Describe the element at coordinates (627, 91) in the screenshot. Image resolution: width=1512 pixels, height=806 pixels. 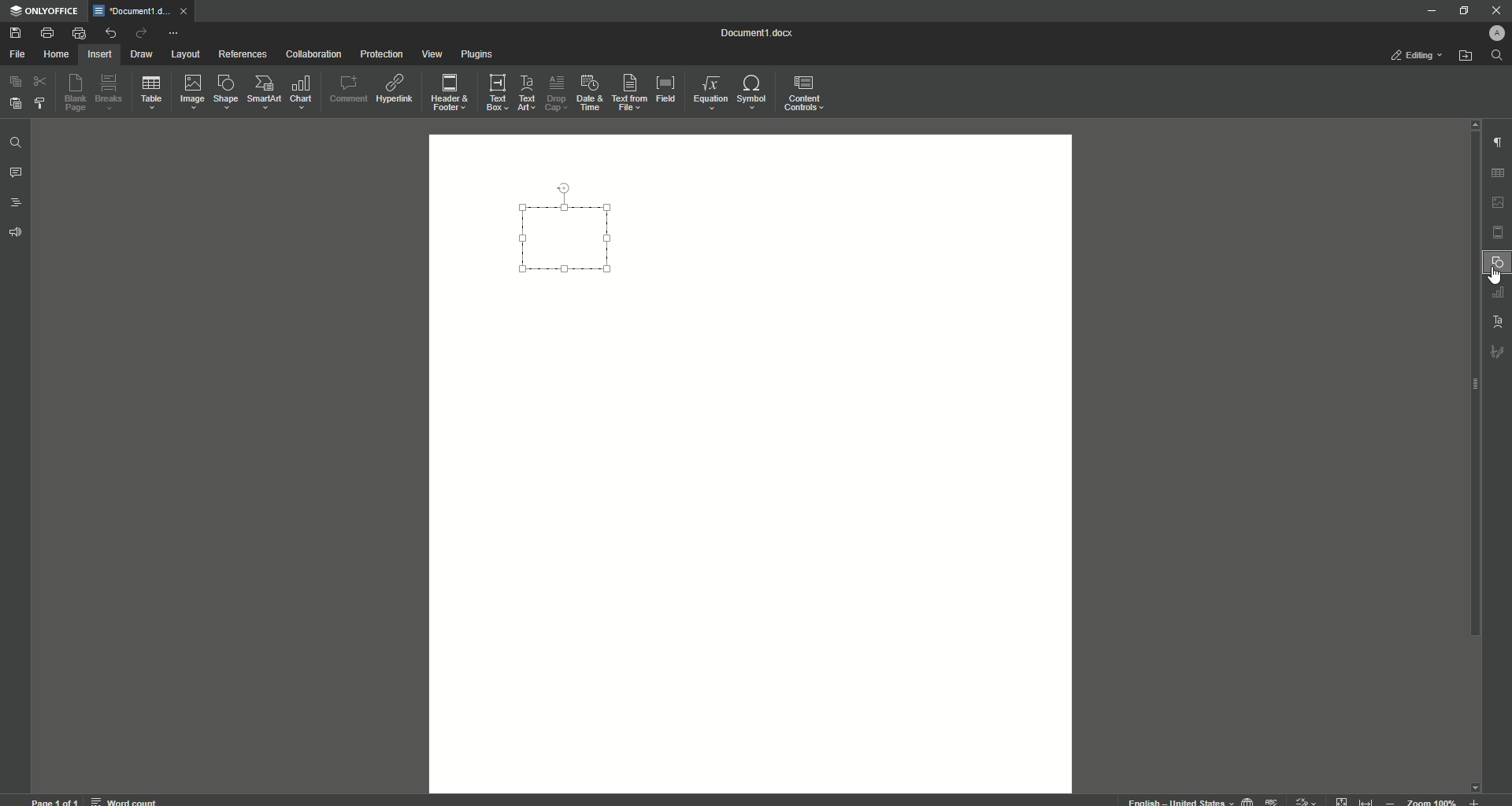
I see `Text From File` at that location.